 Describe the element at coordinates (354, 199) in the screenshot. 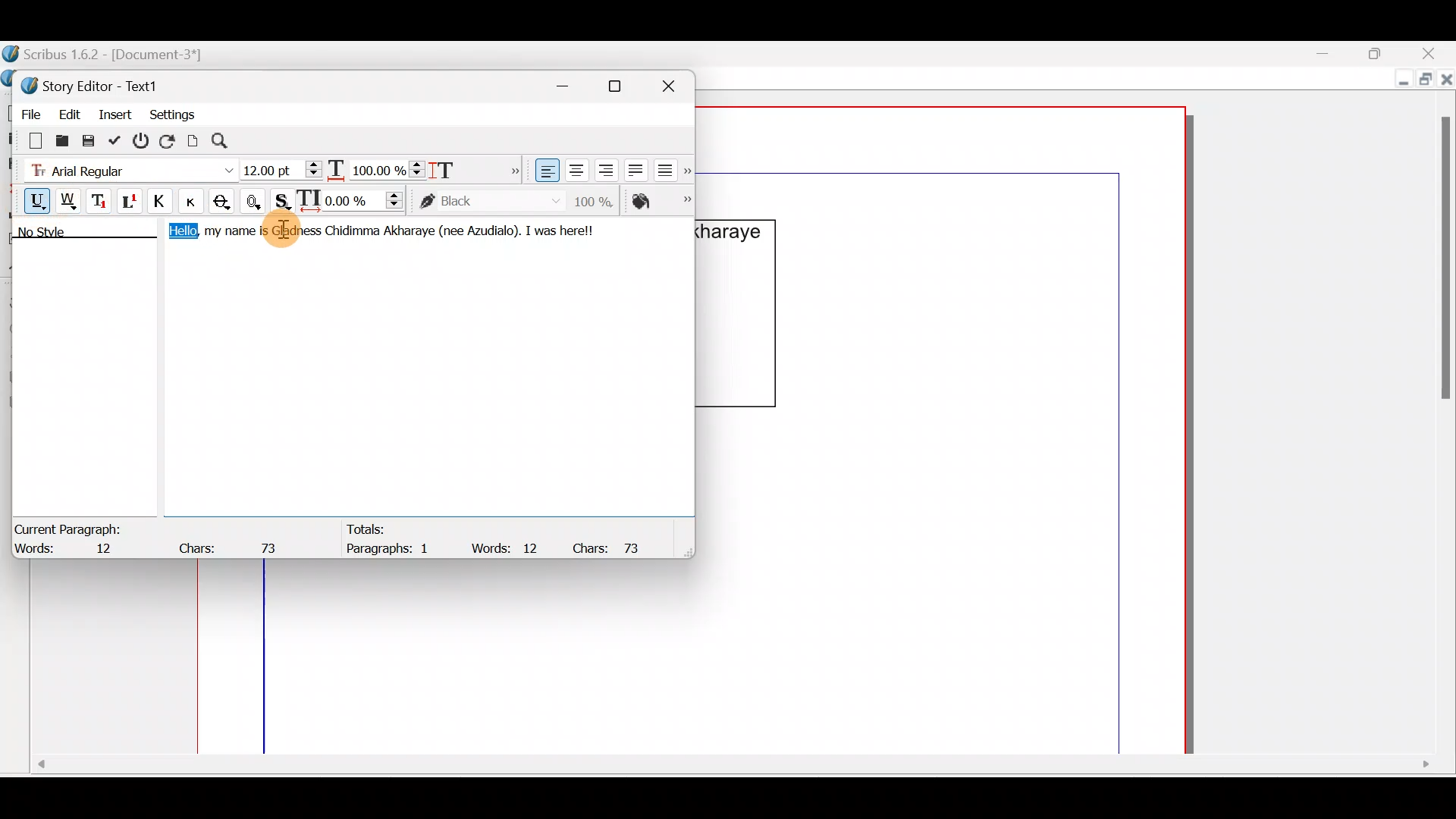

I see `Manual tracking` at that location.